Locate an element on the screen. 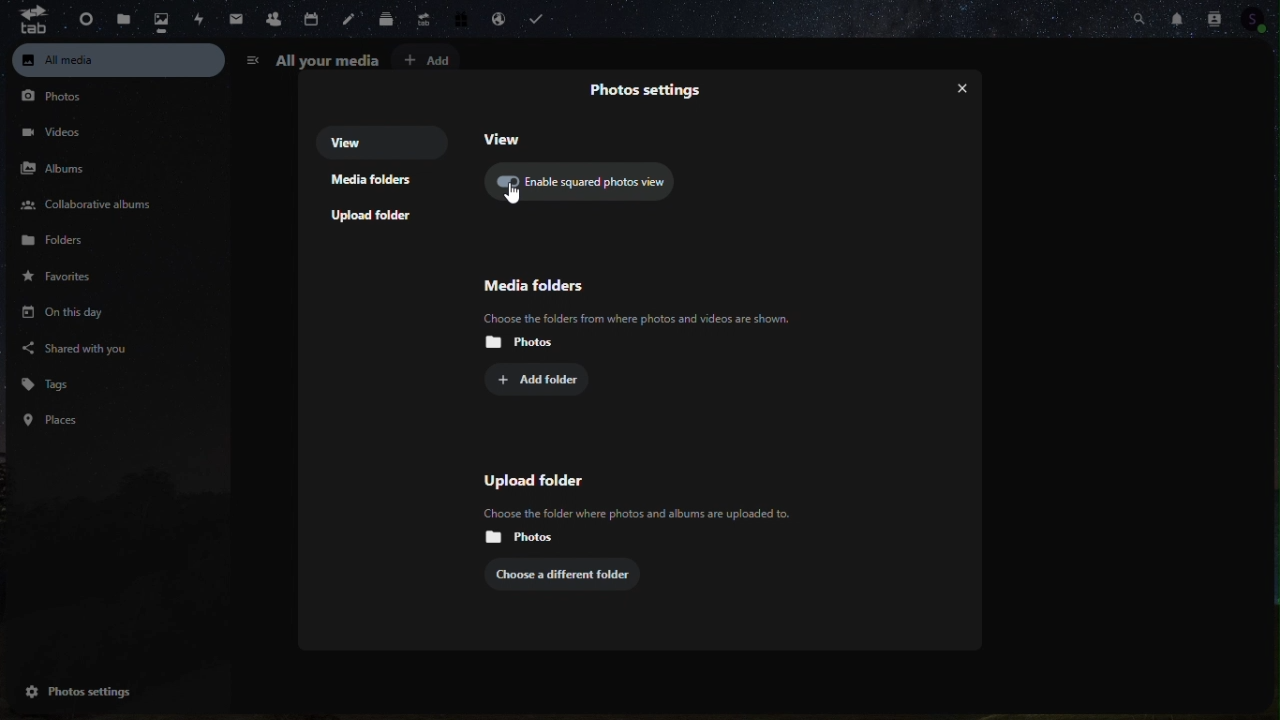 Image resolution: width=1280 pixels, height=720 pixels. videos is located at coordinates (56, 131).